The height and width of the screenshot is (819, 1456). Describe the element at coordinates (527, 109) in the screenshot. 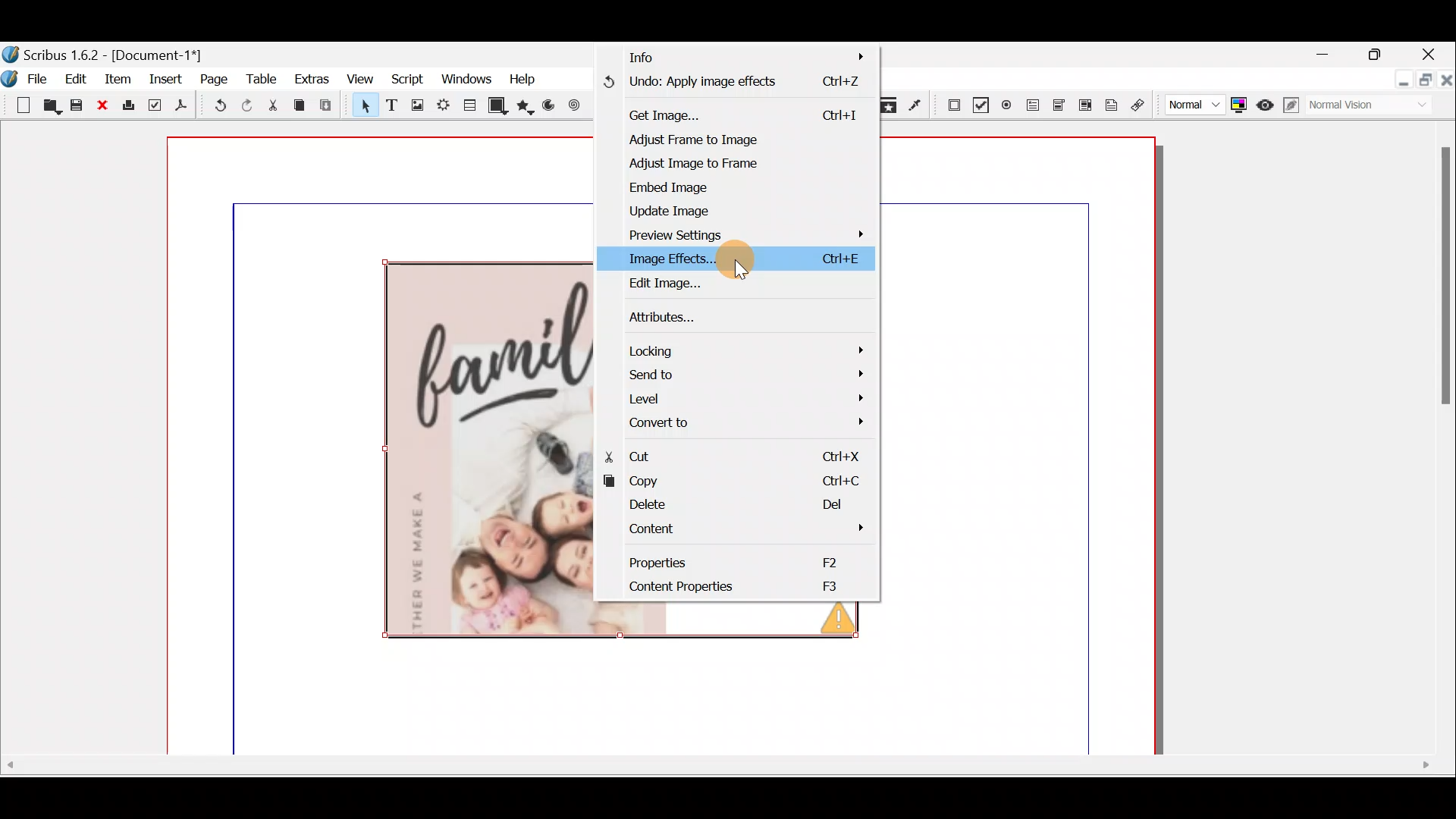

I see `Polygon` at that location.